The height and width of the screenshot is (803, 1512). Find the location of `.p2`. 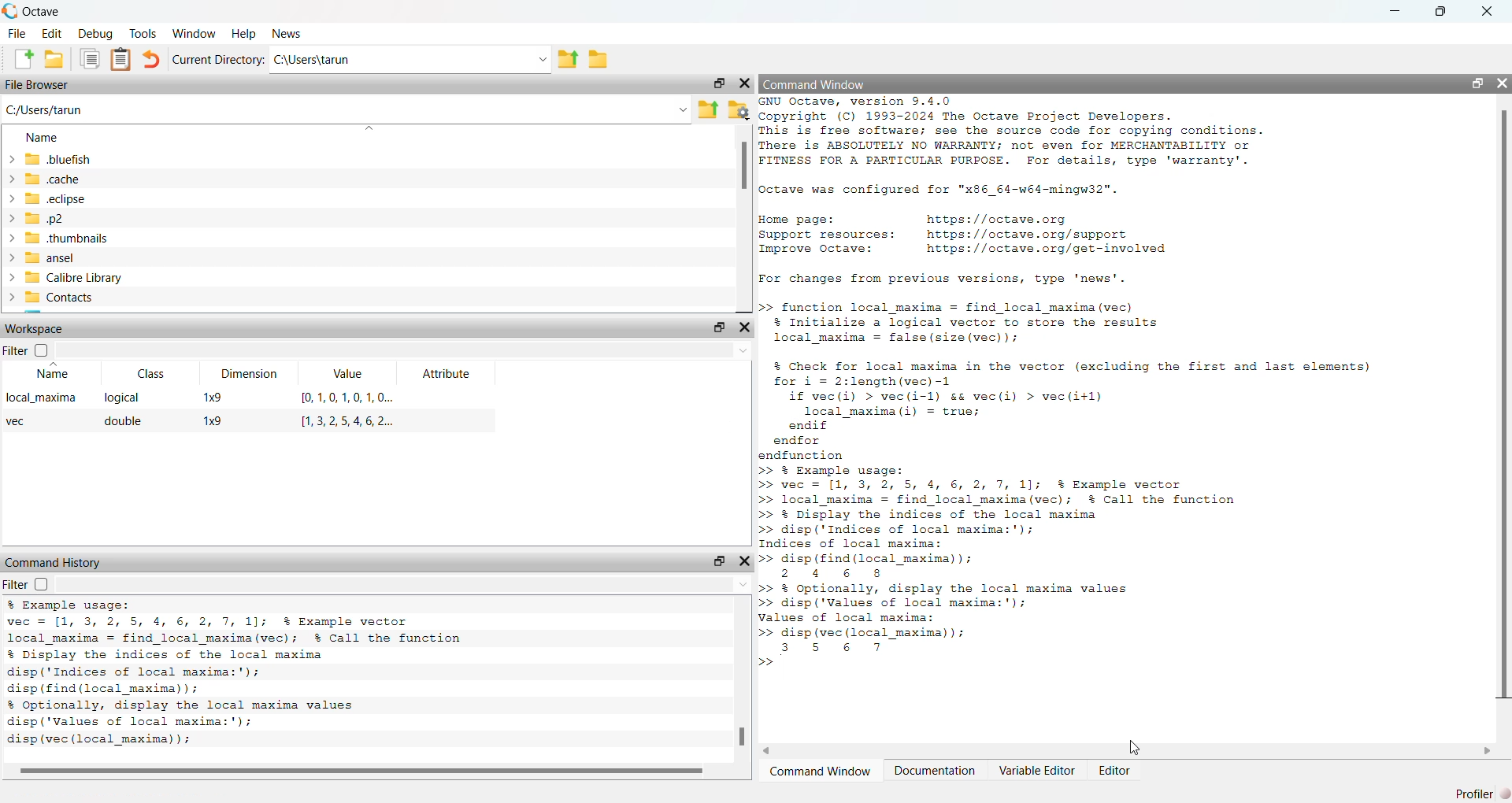

.p2 is located at coordinates (43, 217).